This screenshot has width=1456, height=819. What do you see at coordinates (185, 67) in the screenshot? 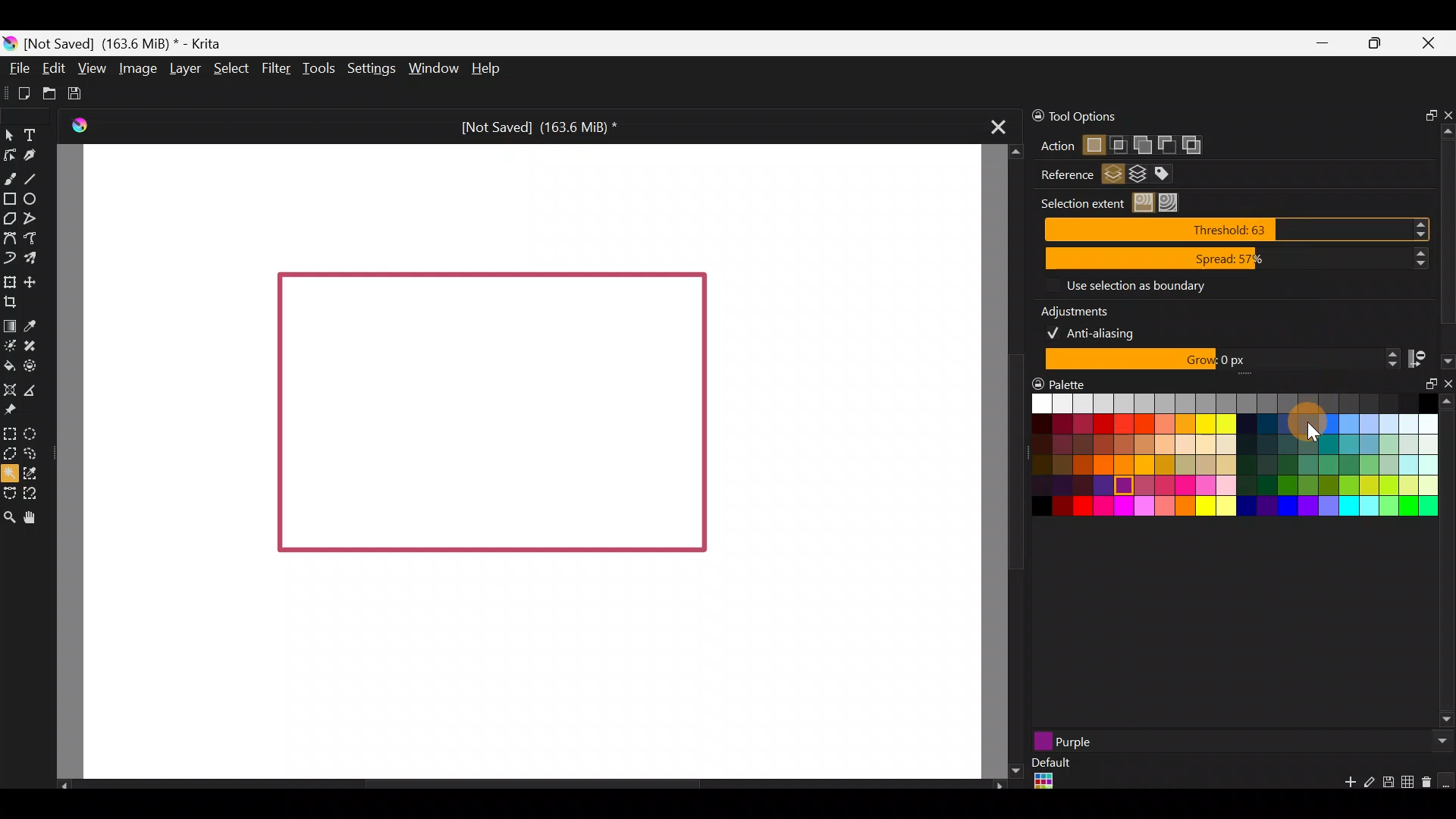
I see `Layer` at bounding box center [185, 67].